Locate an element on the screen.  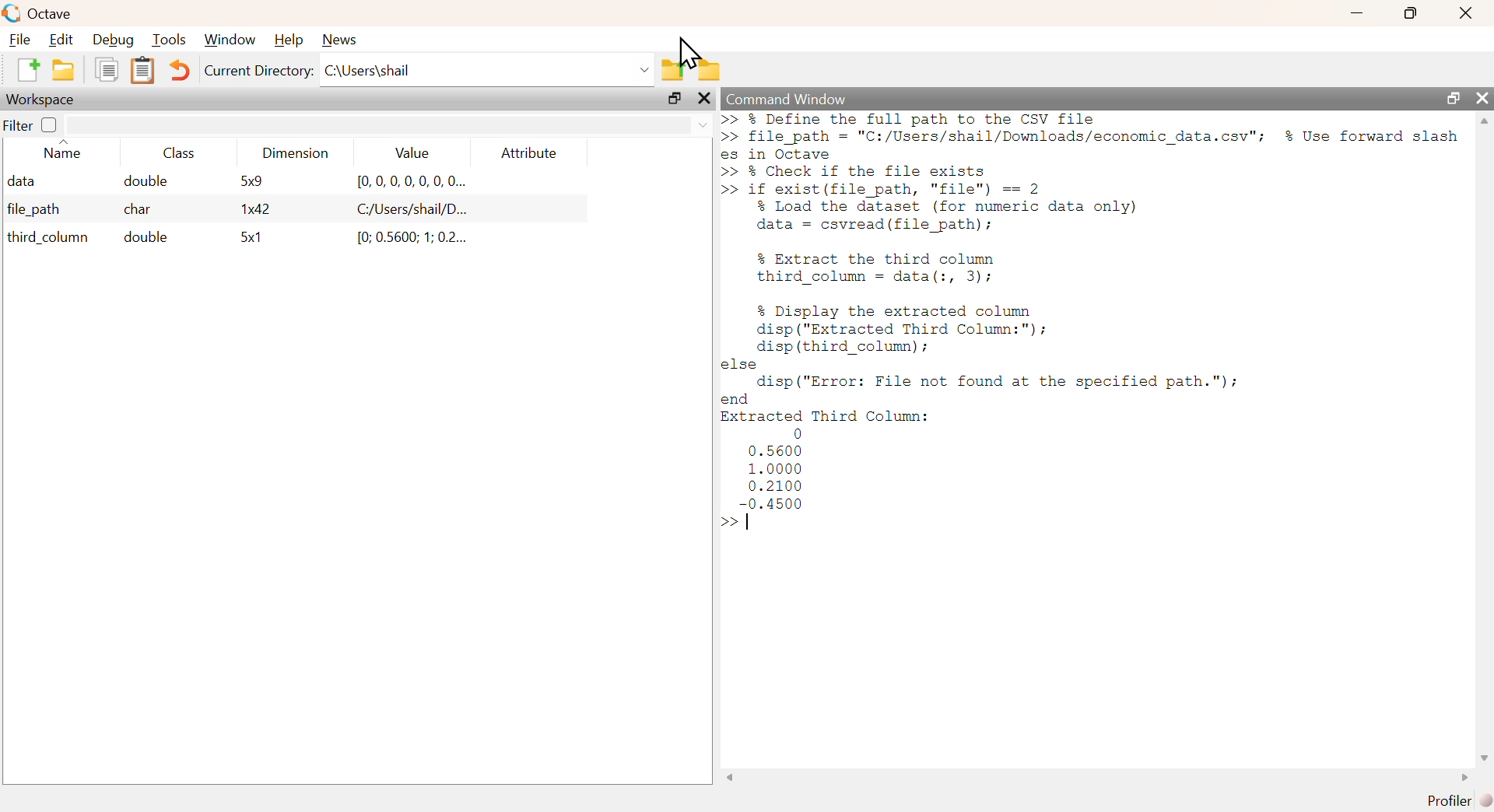
Class is located at coordinates (185, 151).